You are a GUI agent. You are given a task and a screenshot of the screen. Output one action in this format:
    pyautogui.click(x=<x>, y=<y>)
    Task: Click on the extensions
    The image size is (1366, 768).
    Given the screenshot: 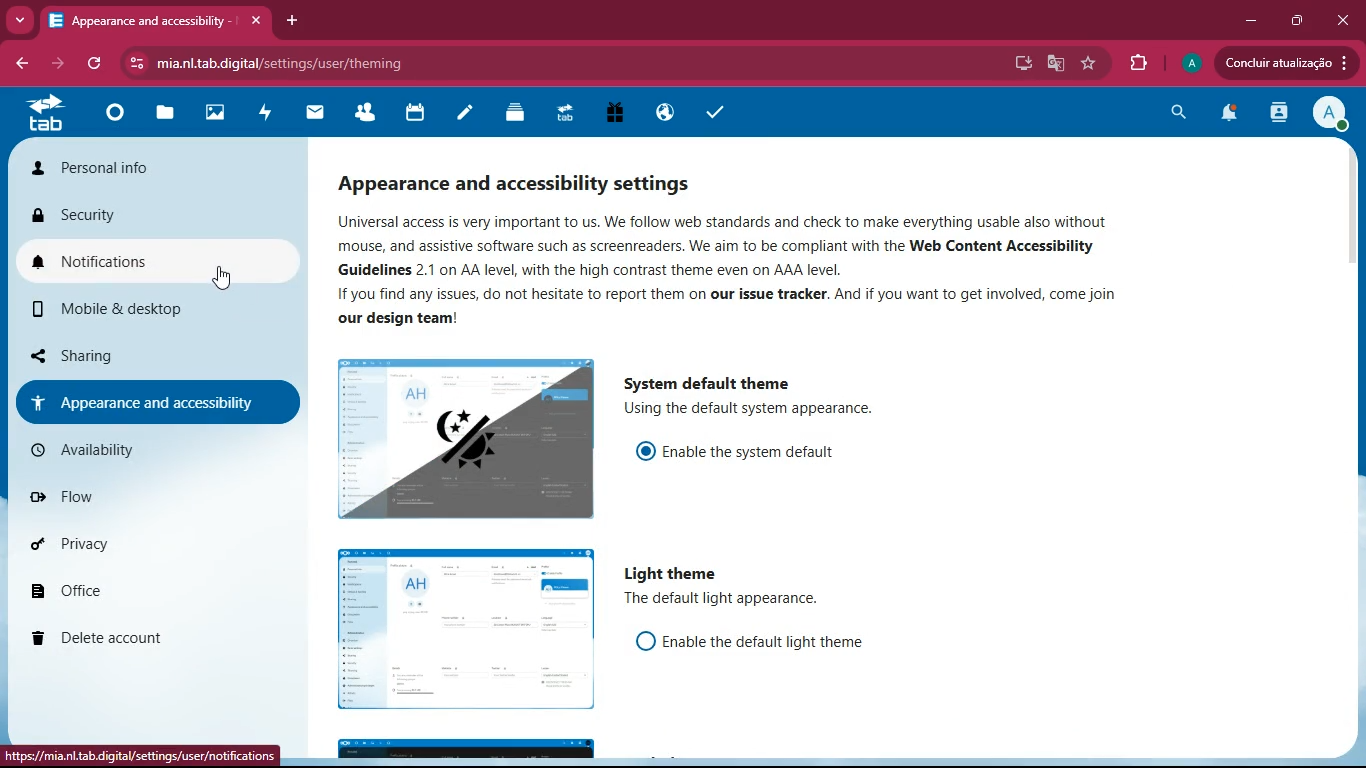 What is the action you would take?
    pyautogui.click(x=1140, y=63)
    